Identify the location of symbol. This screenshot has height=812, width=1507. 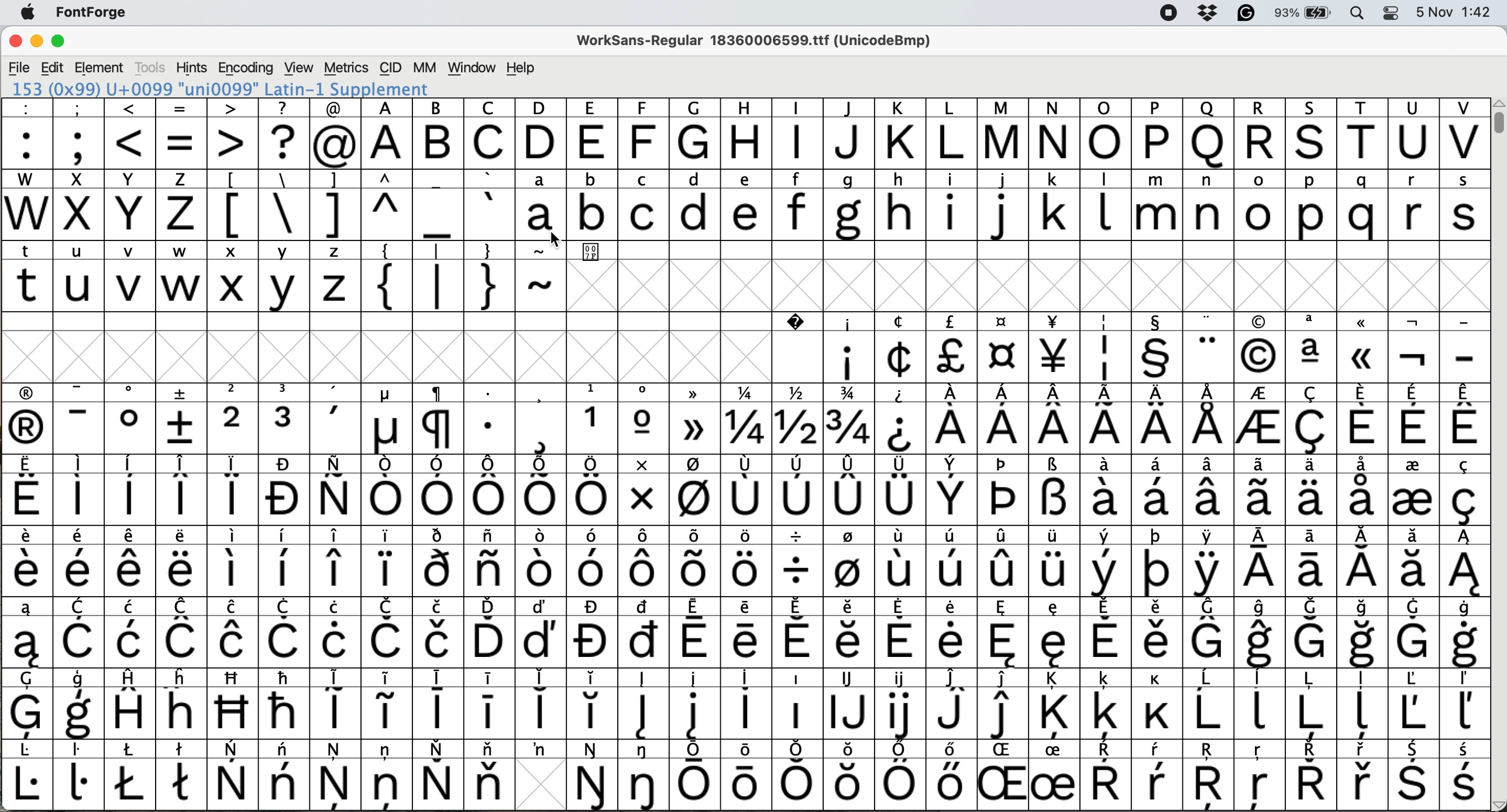
(748, 563).